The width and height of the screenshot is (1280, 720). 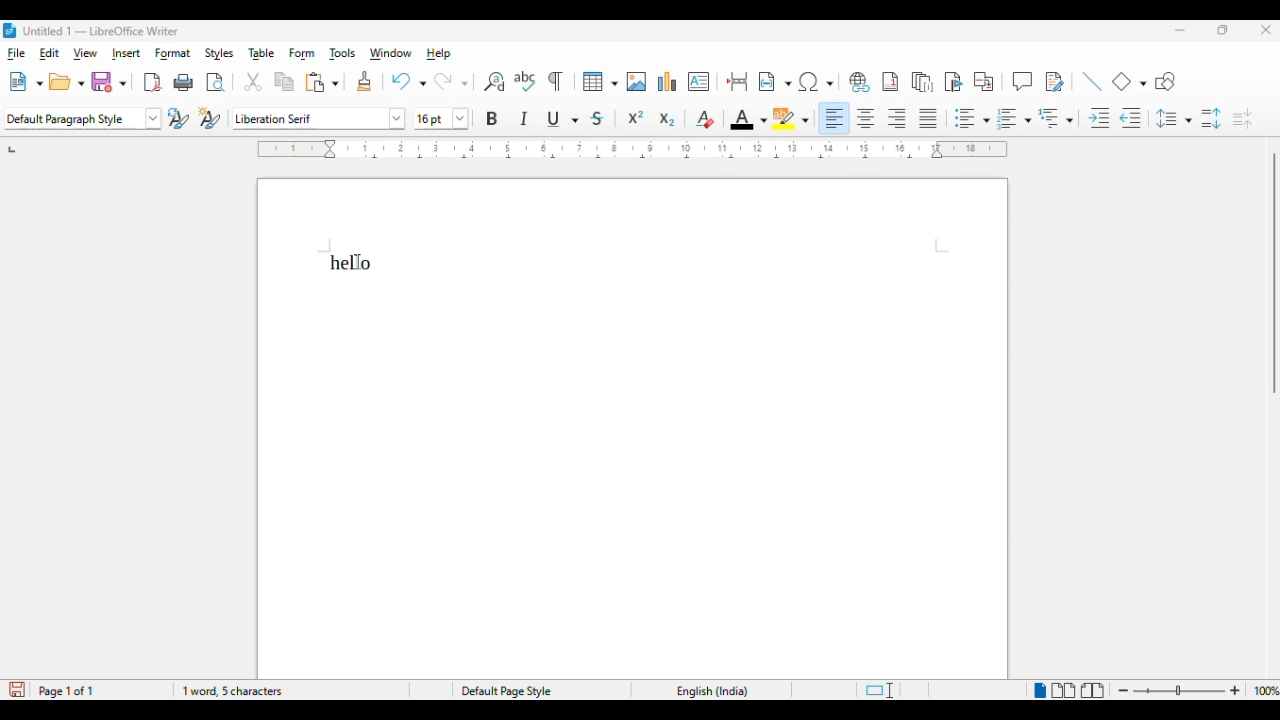 I want to click on insert line, so click(x=1091, y=81).